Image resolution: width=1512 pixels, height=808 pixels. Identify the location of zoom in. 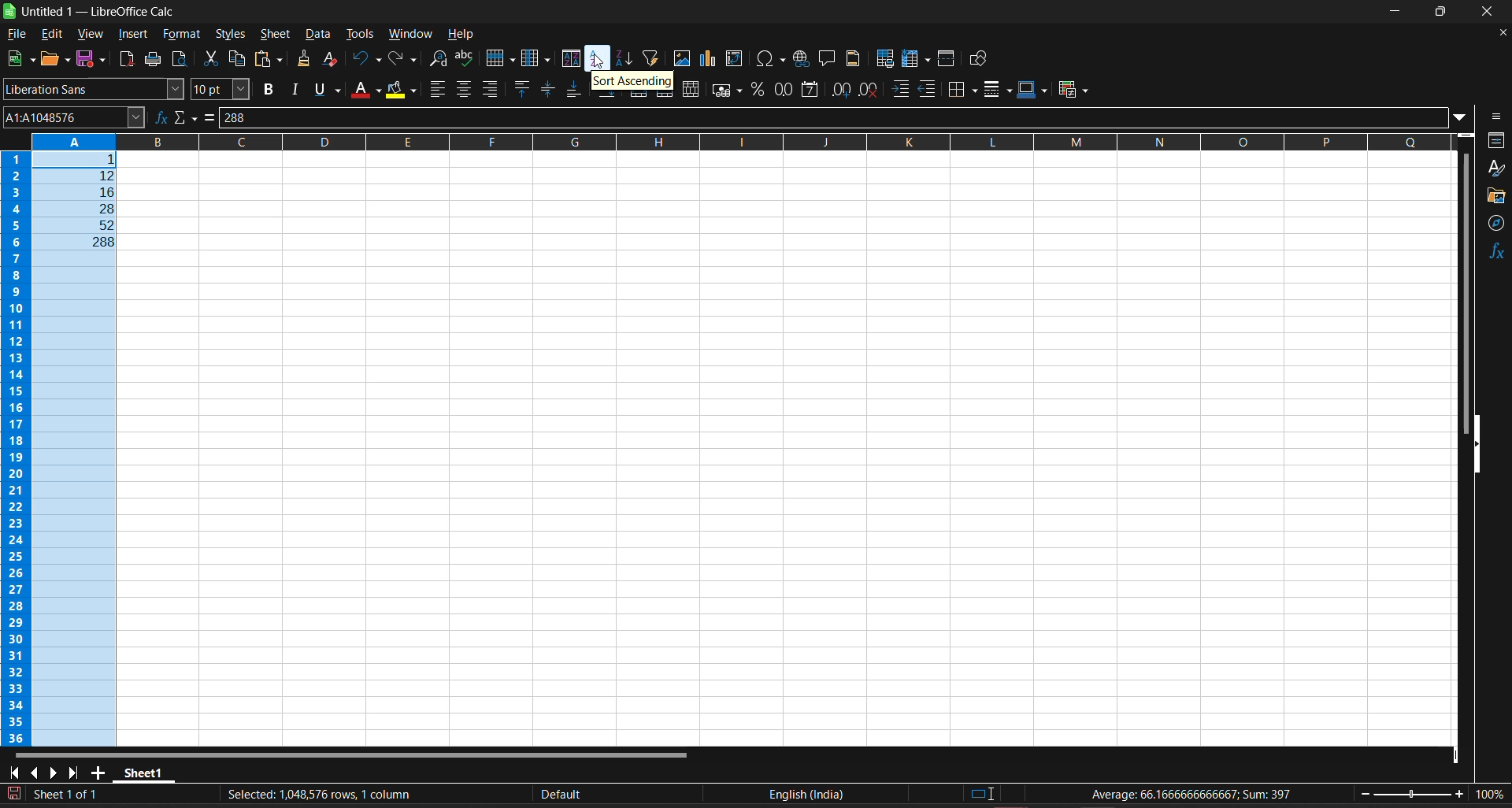
(1464, 795).